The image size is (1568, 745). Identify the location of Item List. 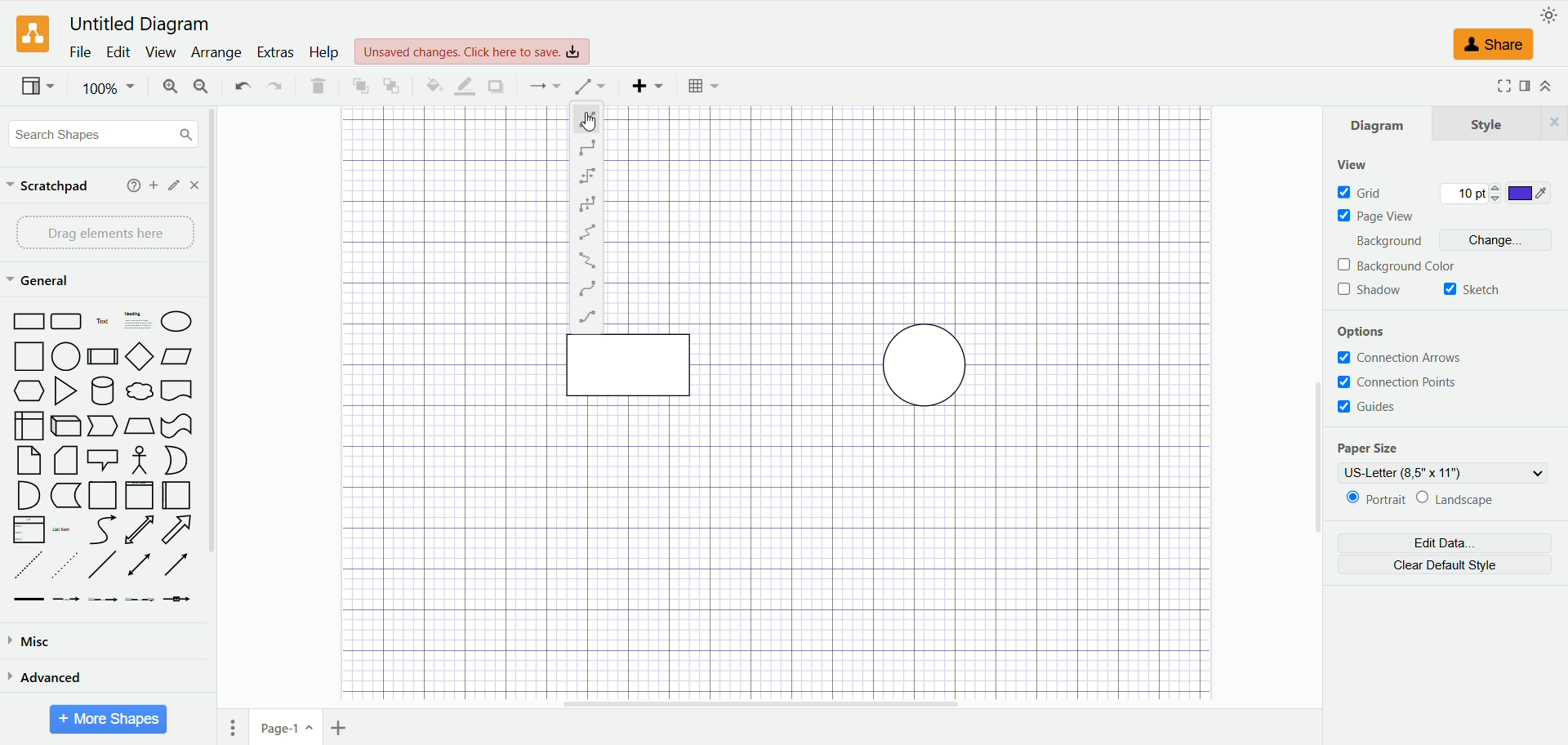
(28, 529).